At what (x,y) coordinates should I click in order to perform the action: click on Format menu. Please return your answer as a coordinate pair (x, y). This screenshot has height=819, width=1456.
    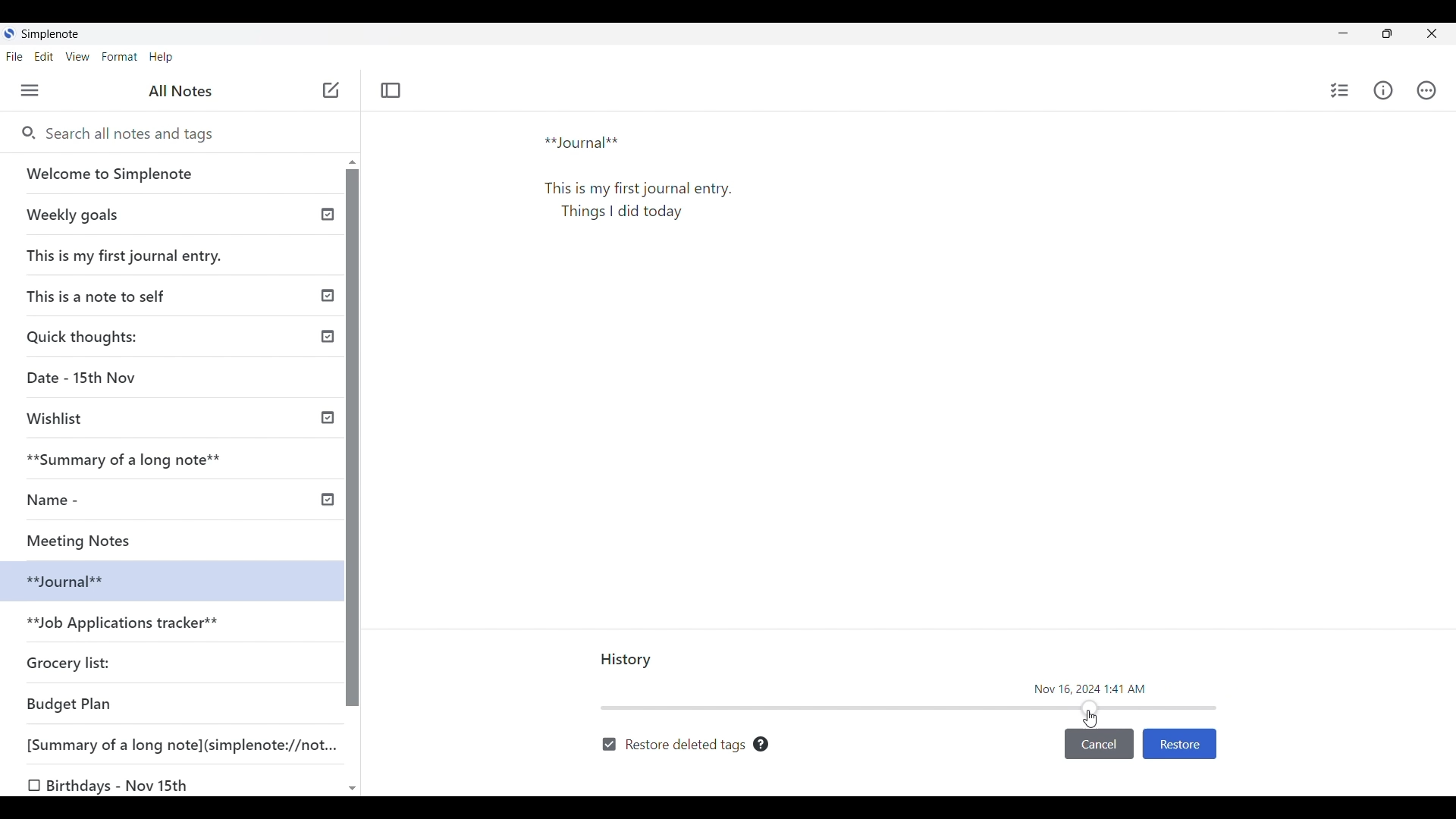
    Looking at the image, I should click on (121, 57).